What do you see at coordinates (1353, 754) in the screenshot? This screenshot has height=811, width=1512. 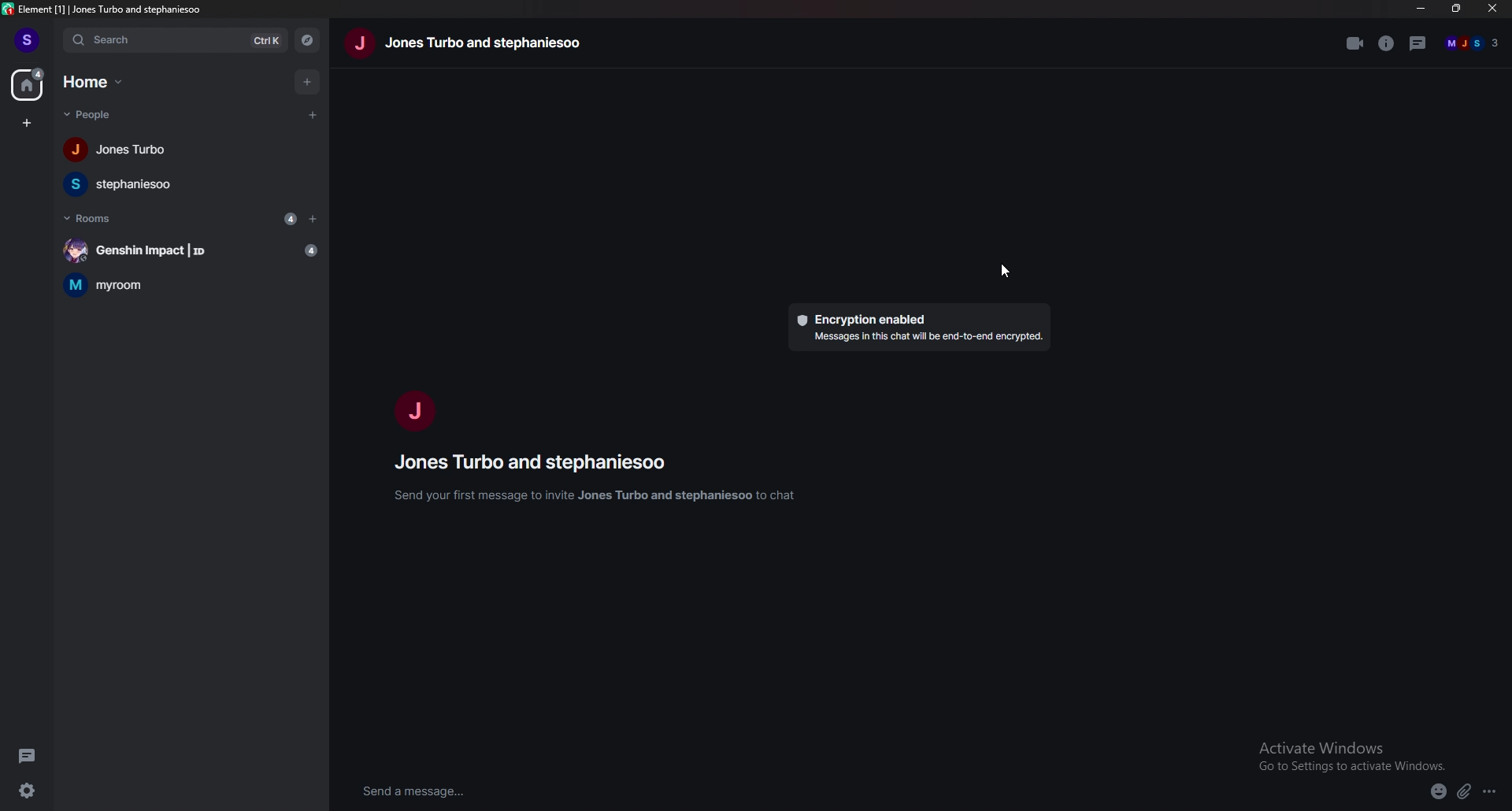 I see `Activate Windows
Go to Settings to activate Windows.` at bounding box center [1353, 754].